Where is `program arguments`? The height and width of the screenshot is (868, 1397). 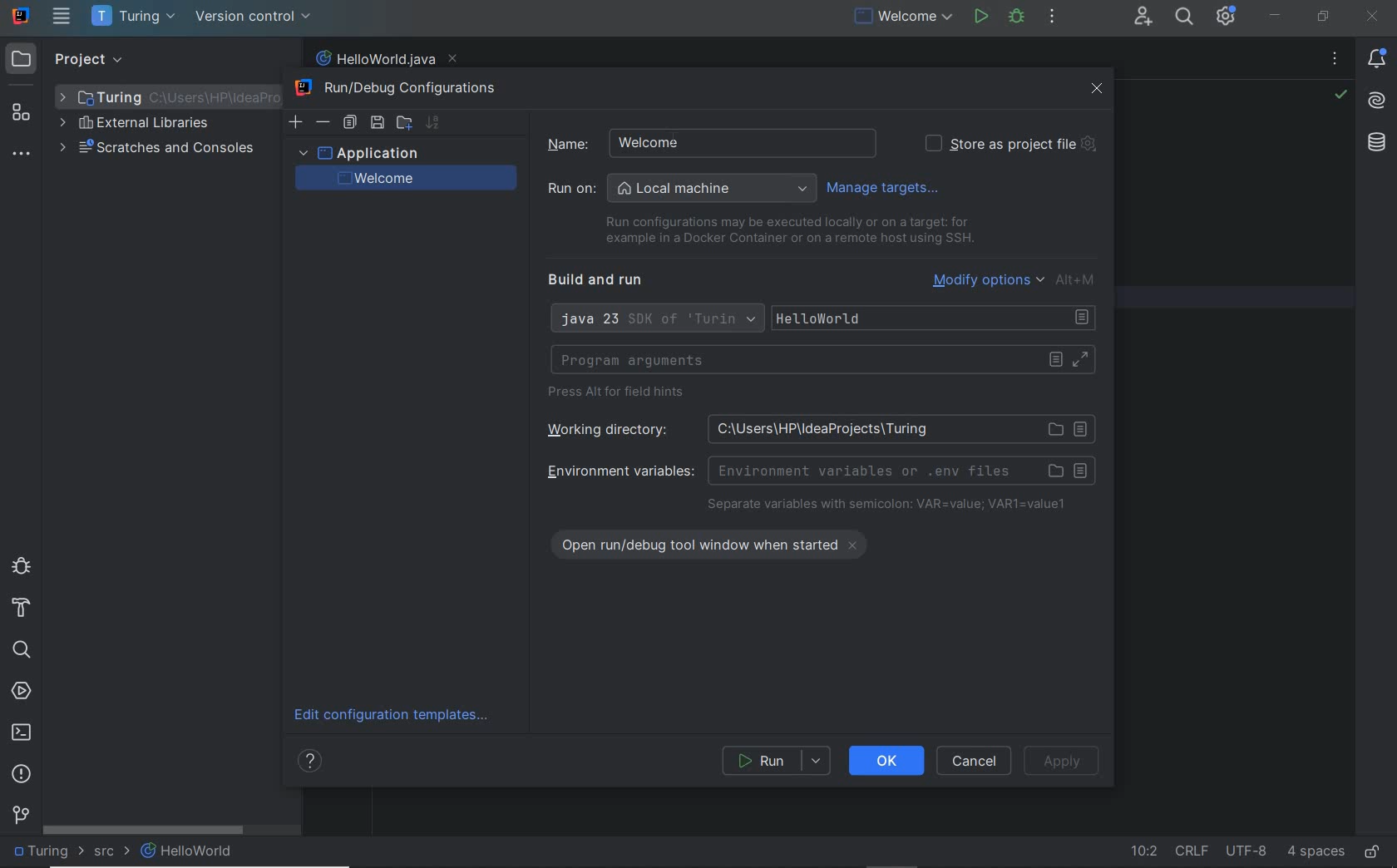
program arguments is located at coordinates (822, 360).